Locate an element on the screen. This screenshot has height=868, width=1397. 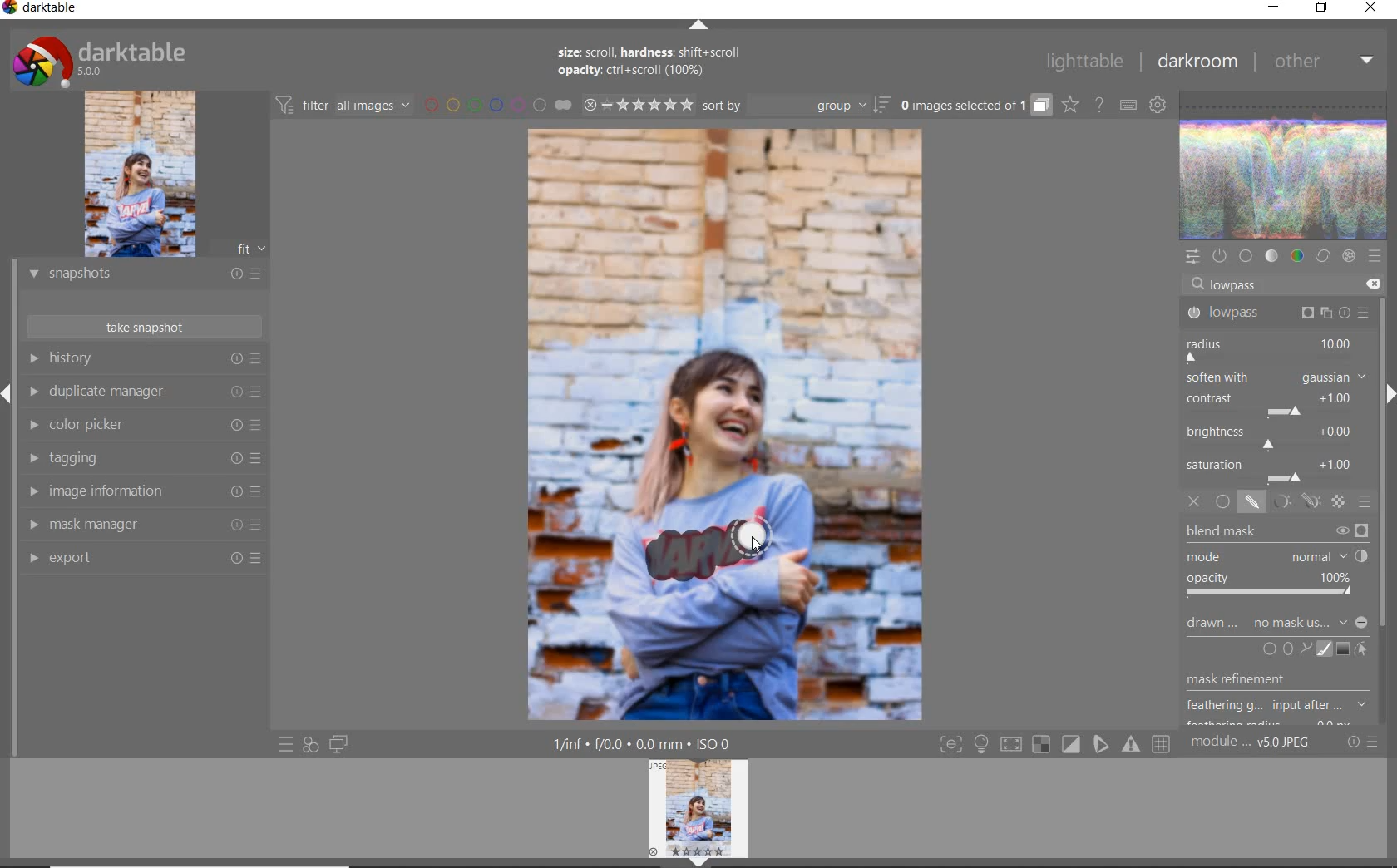
feathering g... is located at coordinates (1279, 706).